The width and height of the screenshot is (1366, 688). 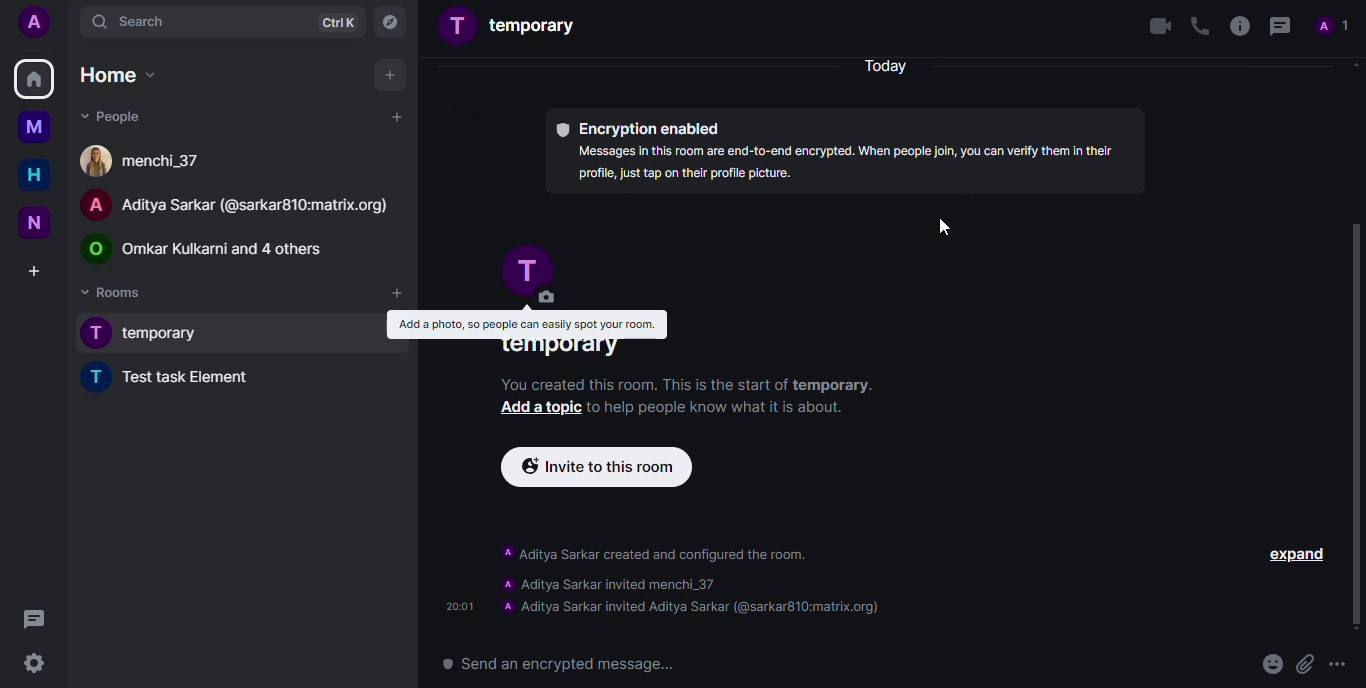 What do you see at coordinates (722, 408) in the screenshot?
I see ` to help people know what it is about.` at bounding box center [722, 408].